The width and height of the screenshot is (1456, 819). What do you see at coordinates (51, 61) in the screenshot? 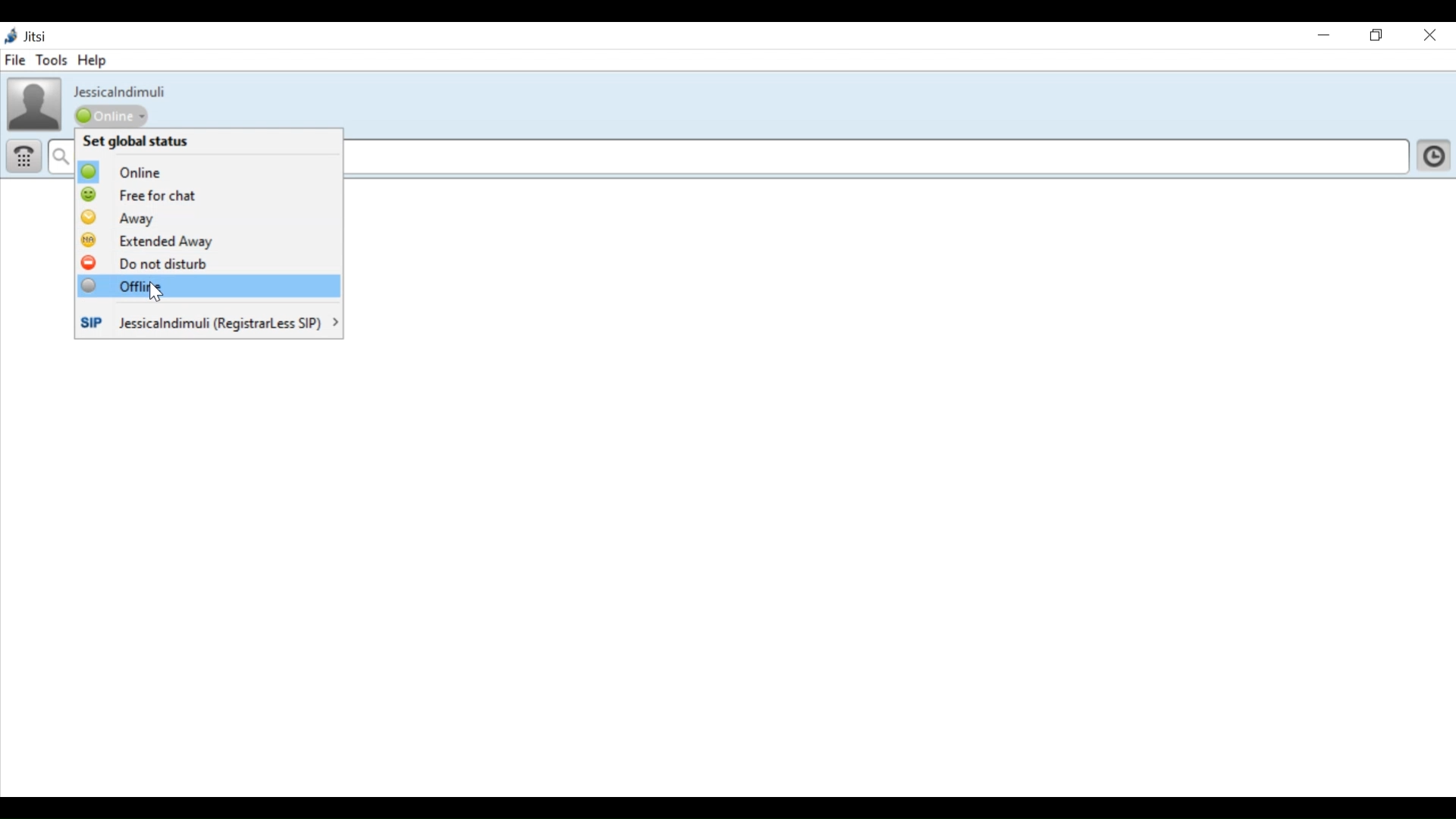
I see `Tools` at bounding box center [51, 61].